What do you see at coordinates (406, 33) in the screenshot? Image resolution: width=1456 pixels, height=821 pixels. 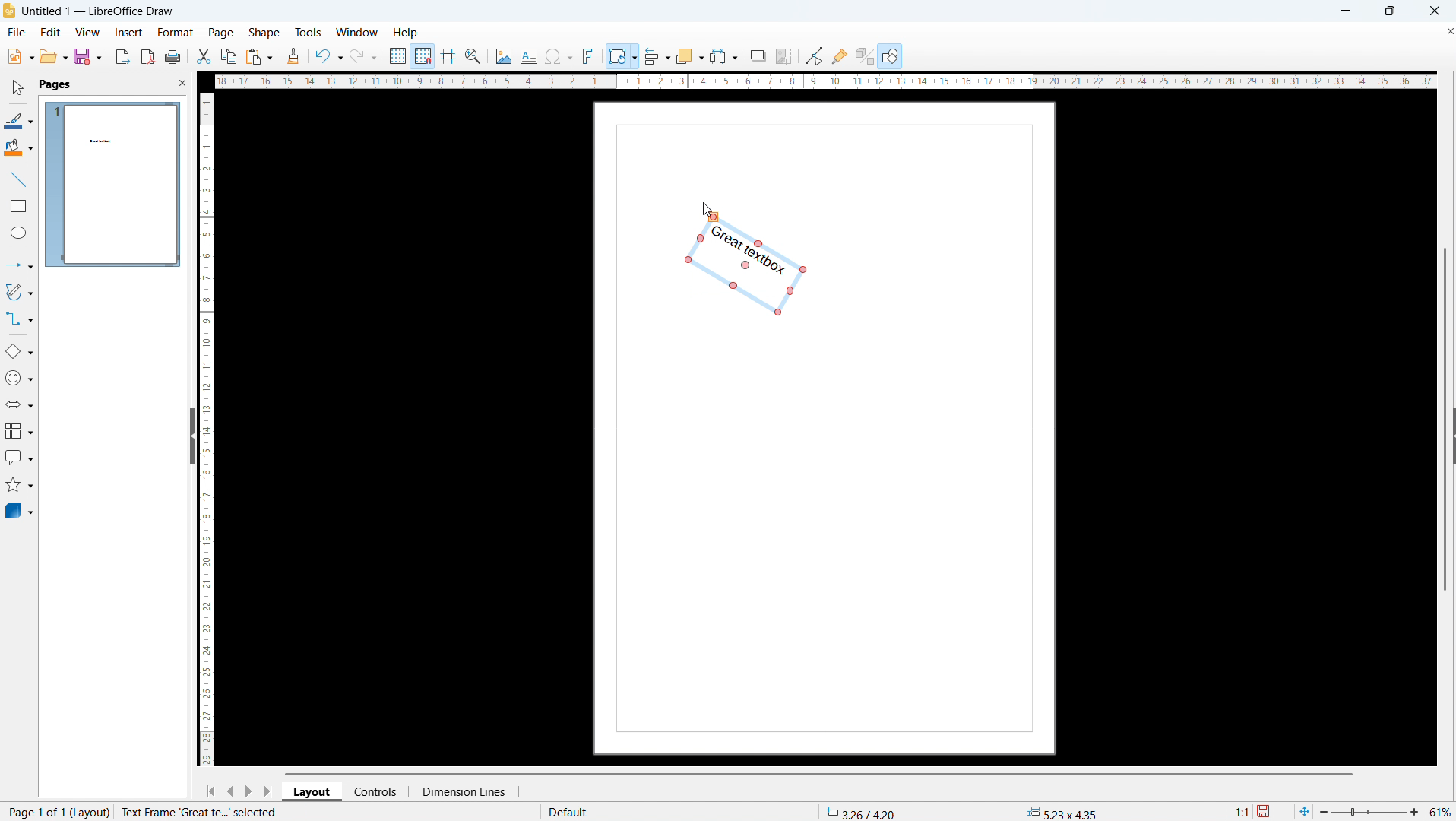 I see `help` at bounding box center [406, 33].